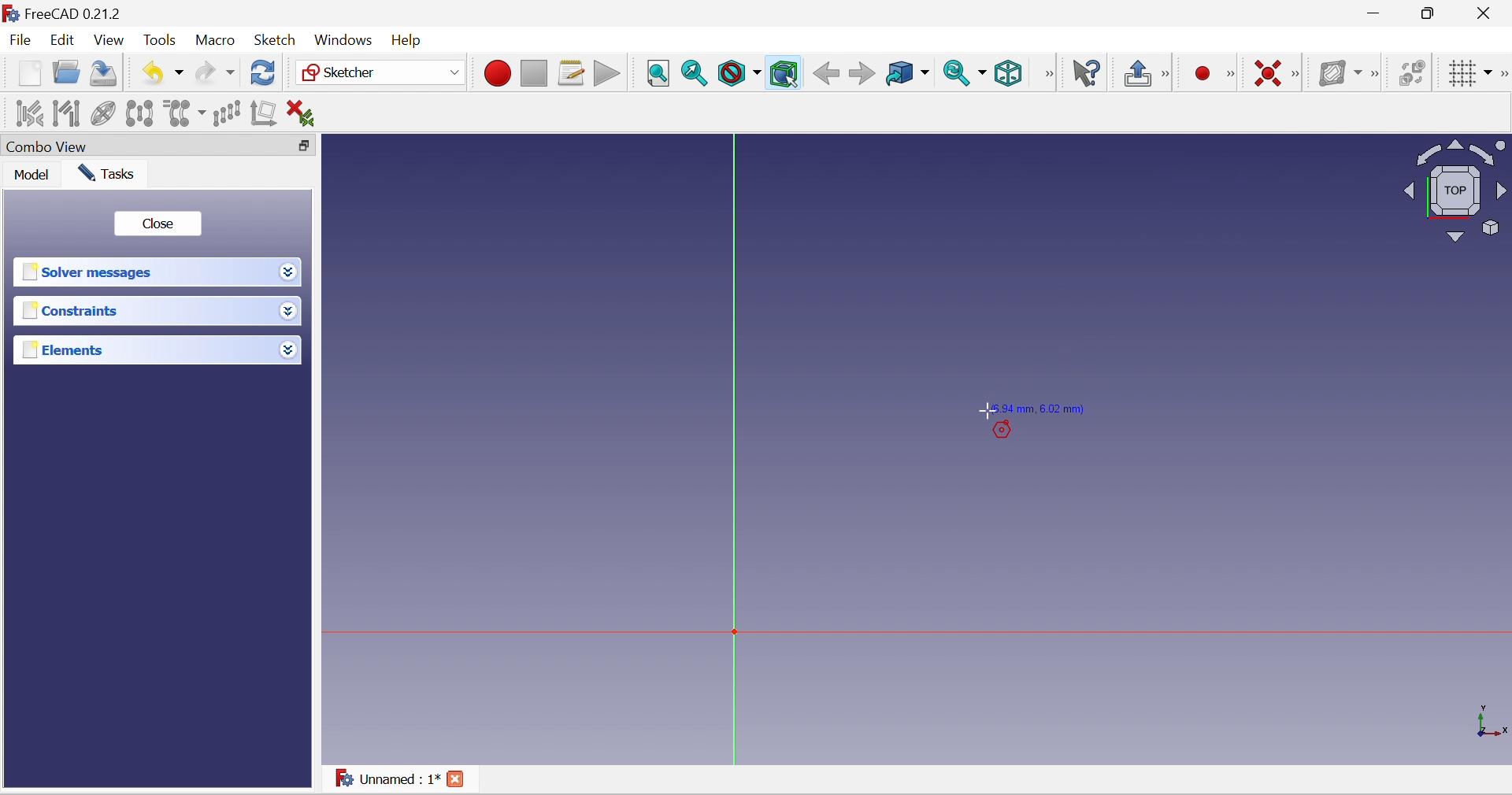  What do you see at coordinates (109, 42) in the screenshot?
I see `View` at bounding box center [109, 42].